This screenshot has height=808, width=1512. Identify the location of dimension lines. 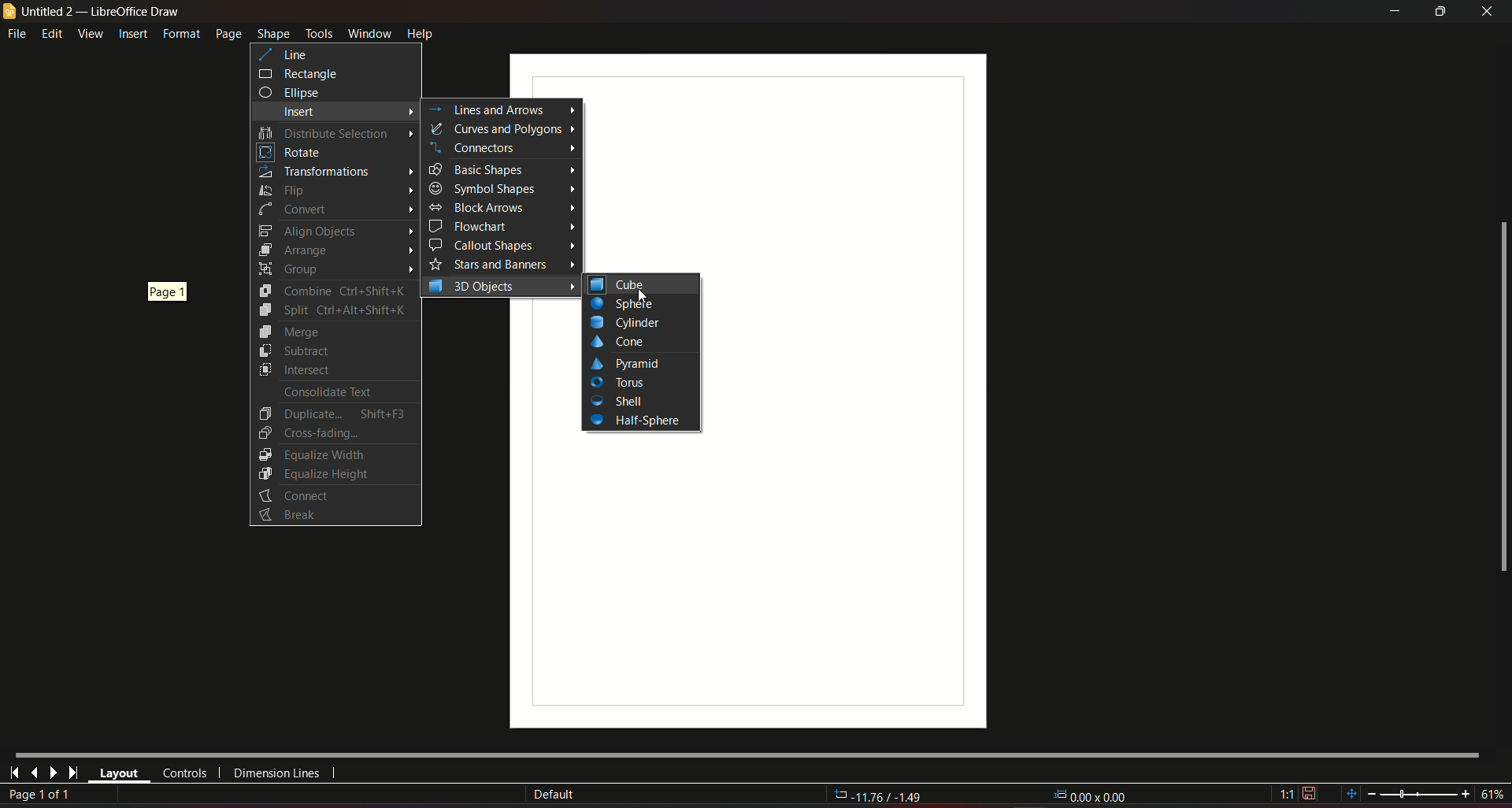
(277, 776).